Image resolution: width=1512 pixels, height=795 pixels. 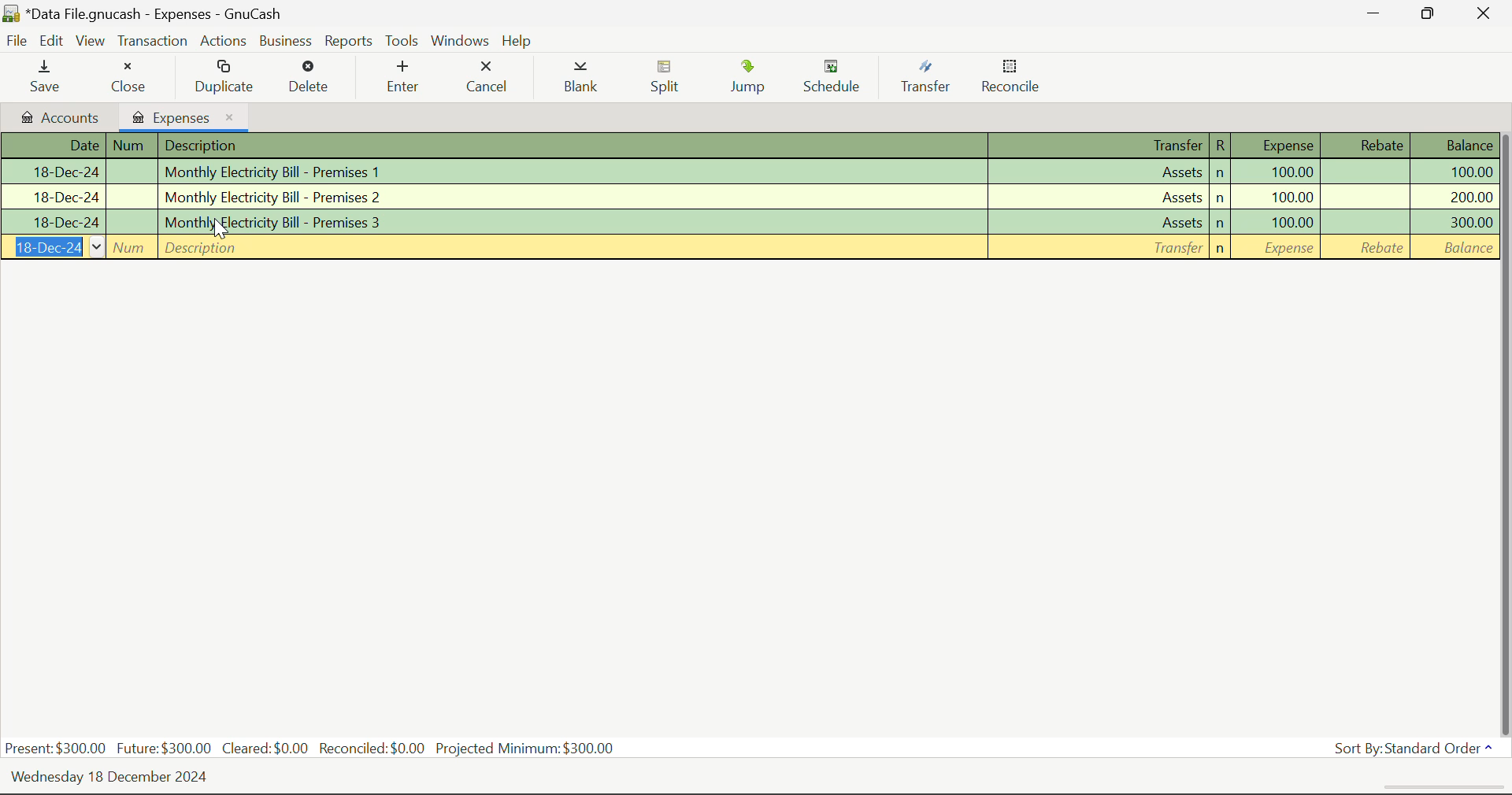 I want to click on Save, so click(x=49, y=78).